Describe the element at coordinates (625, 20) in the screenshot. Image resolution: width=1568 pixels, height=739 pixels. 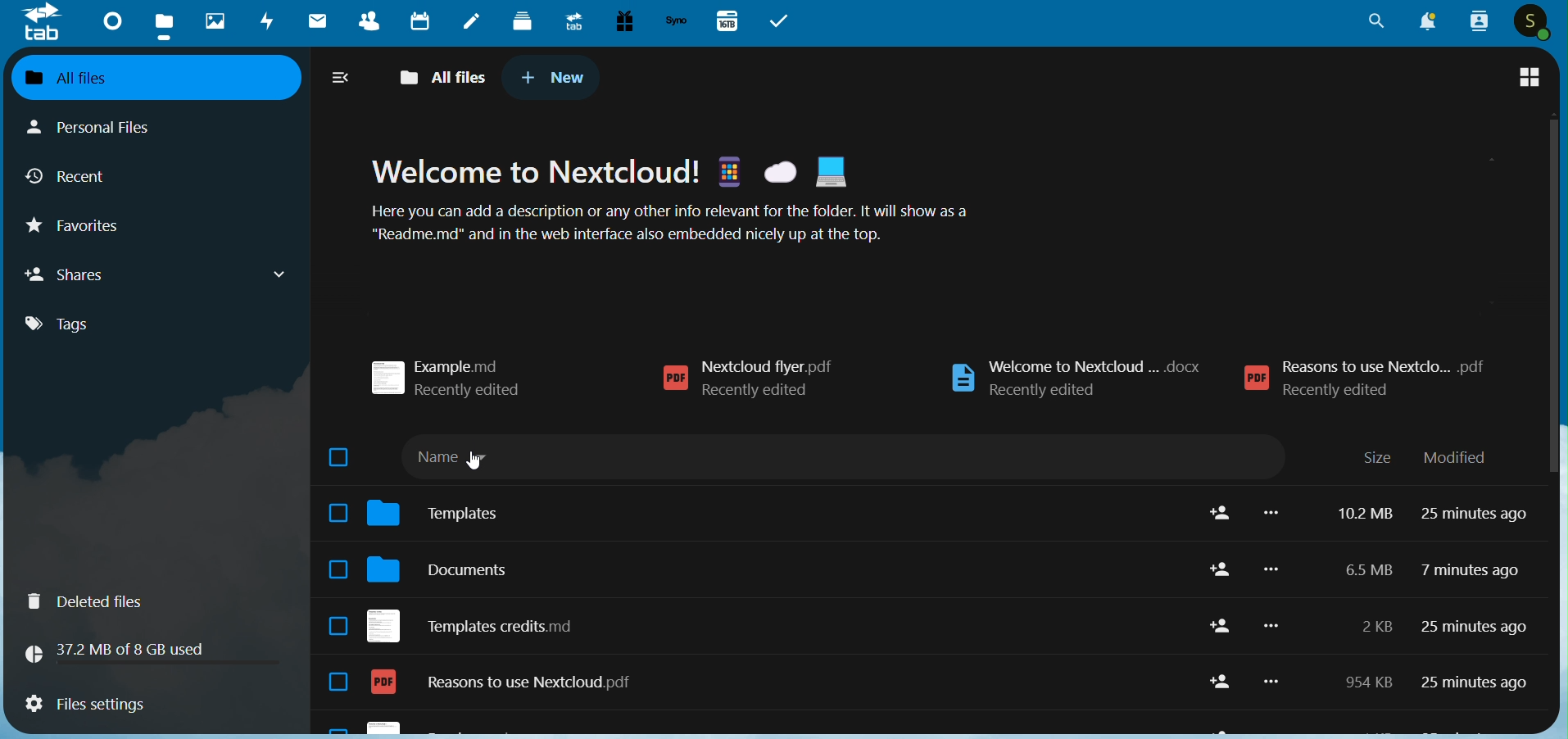
I see `Free Trial` at that location.